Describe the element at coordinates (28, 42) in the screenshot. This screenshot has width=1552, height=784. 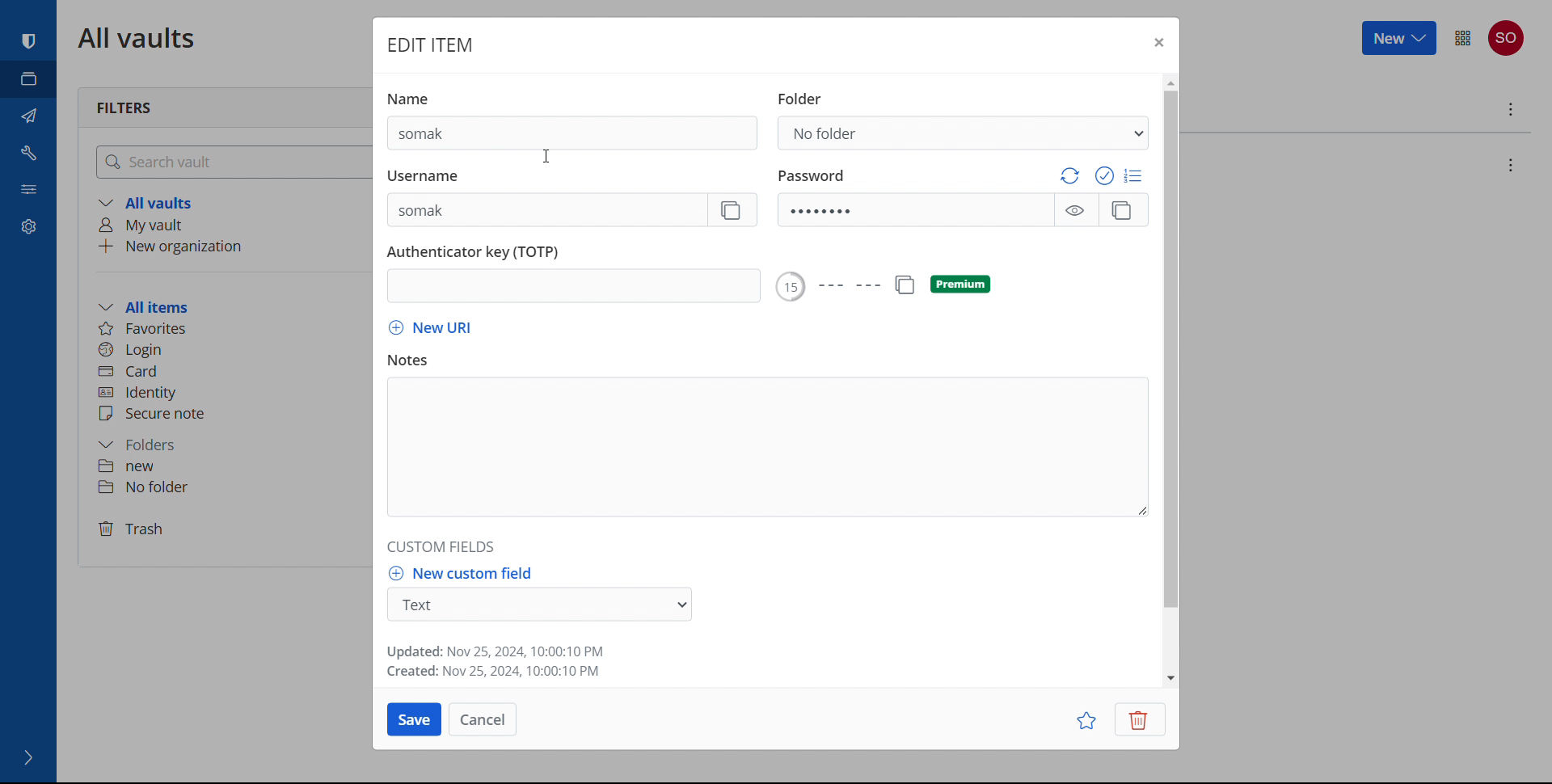
I see `password manager` at that location.